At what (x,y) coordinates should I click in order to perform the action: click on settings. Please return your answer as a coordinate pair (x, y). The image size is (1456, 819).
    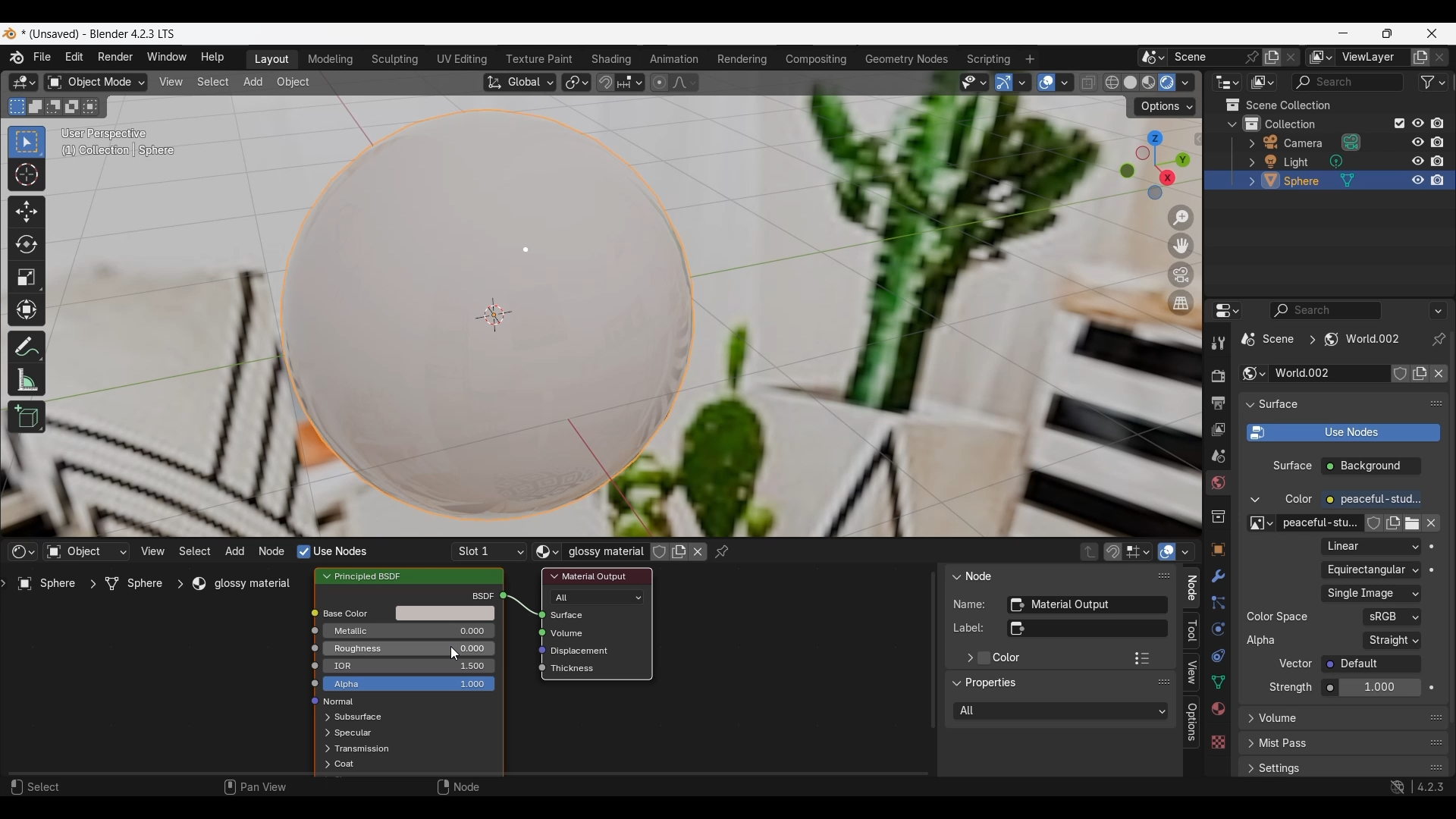
    Looking at the image, I should click on (1283, 769).